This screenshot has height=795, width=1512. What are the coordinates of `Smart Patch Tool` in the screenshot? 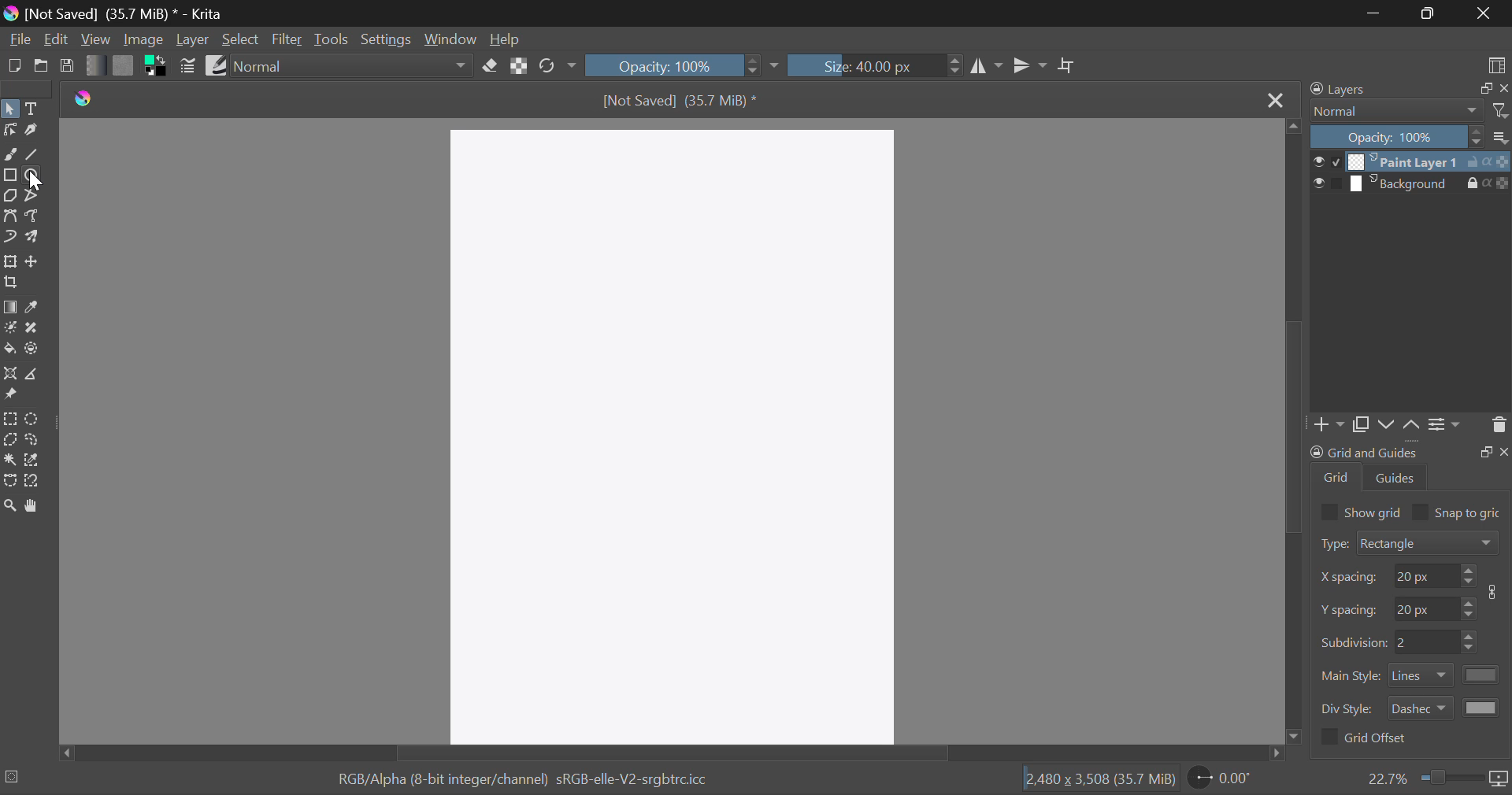 It's located at (32, 328).